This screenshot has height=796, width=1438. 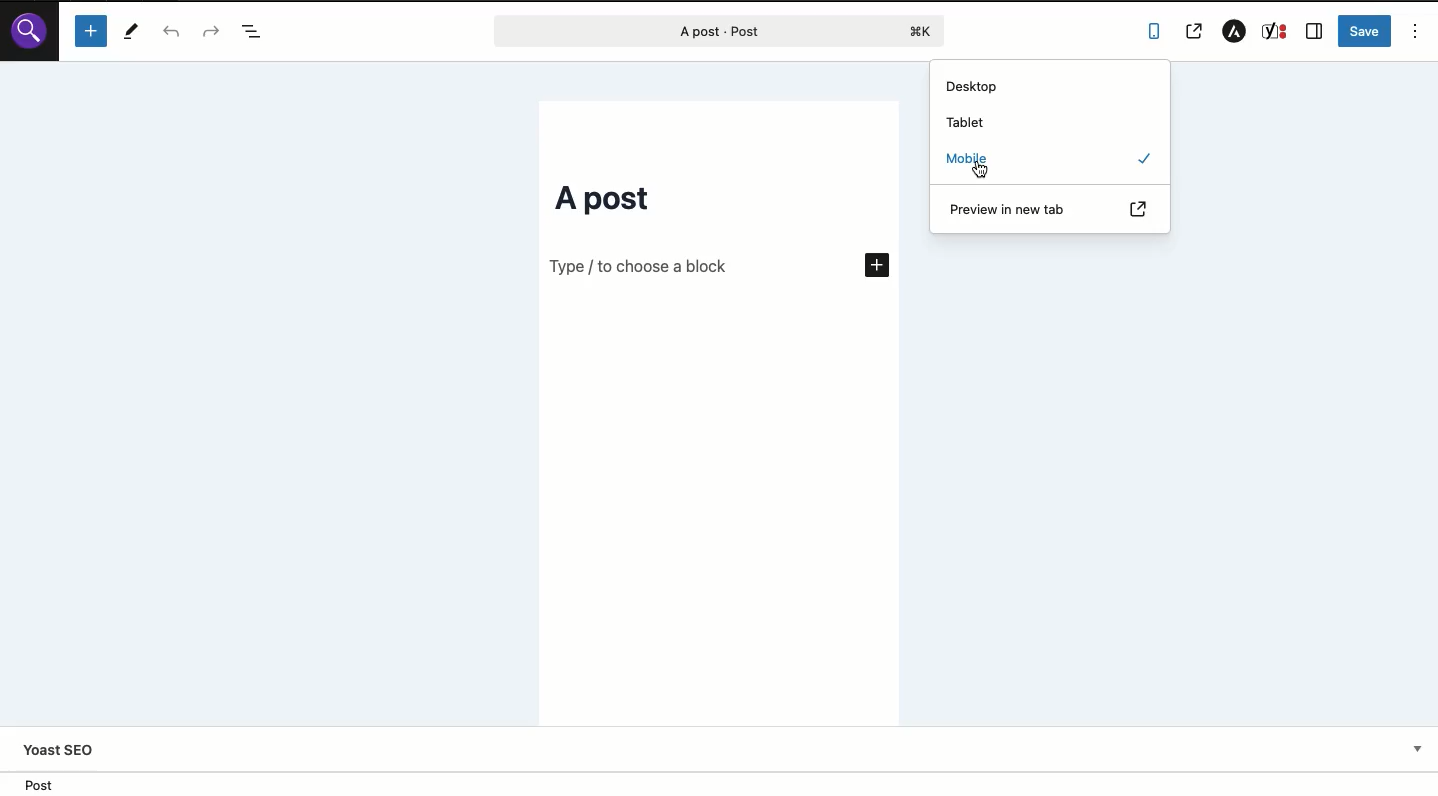 What do you see at coordinates (211, 30) in the screenshot?
I see `Redo` at bounding box center [211, 30].